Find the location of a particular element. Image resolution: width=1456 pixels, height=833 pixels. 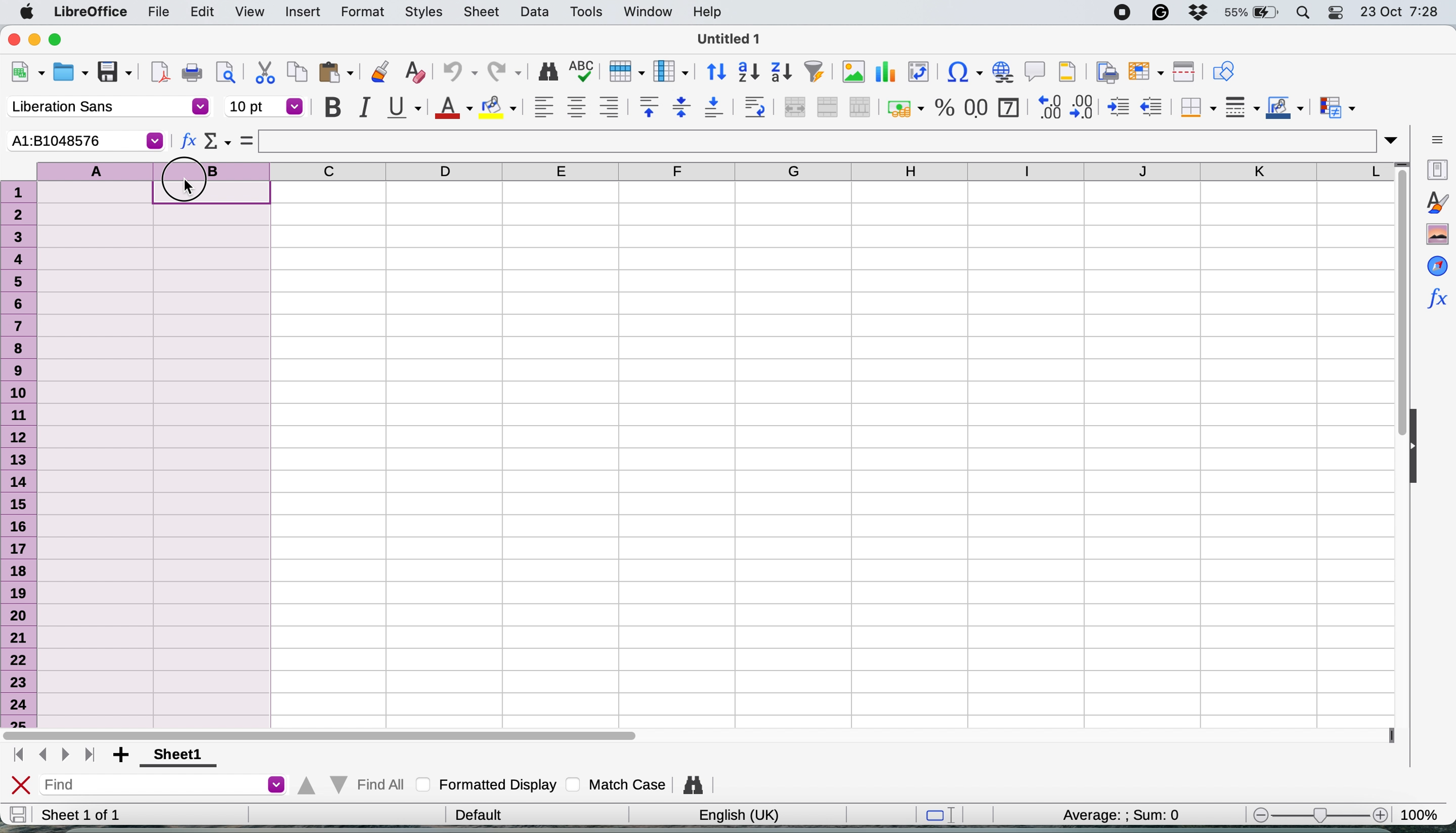

insert hyperlink is located at coordinates (1003, 72).